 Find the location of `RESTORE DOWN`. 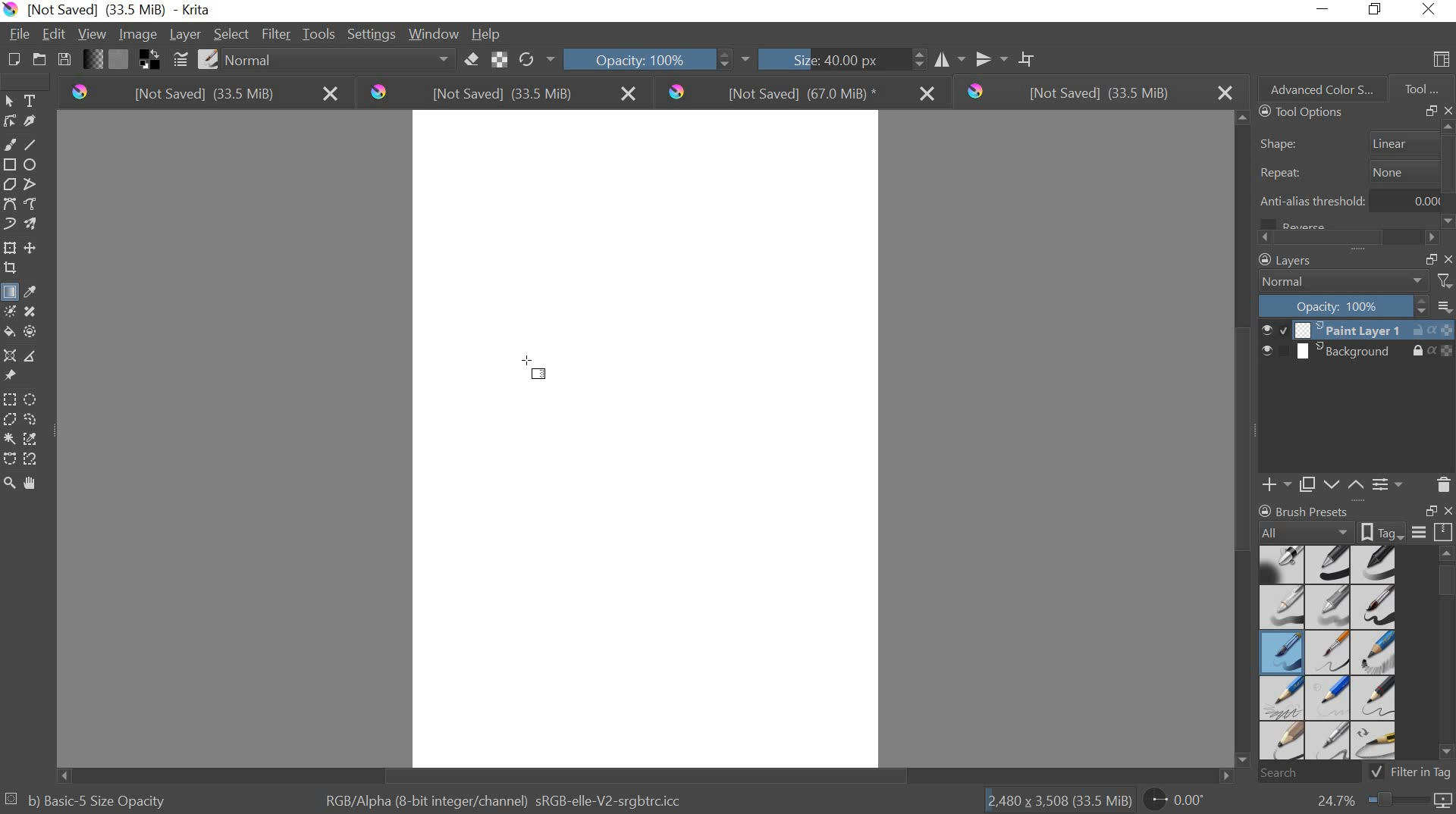

RESTORE DOWN is located at coordinates (1379, 11).